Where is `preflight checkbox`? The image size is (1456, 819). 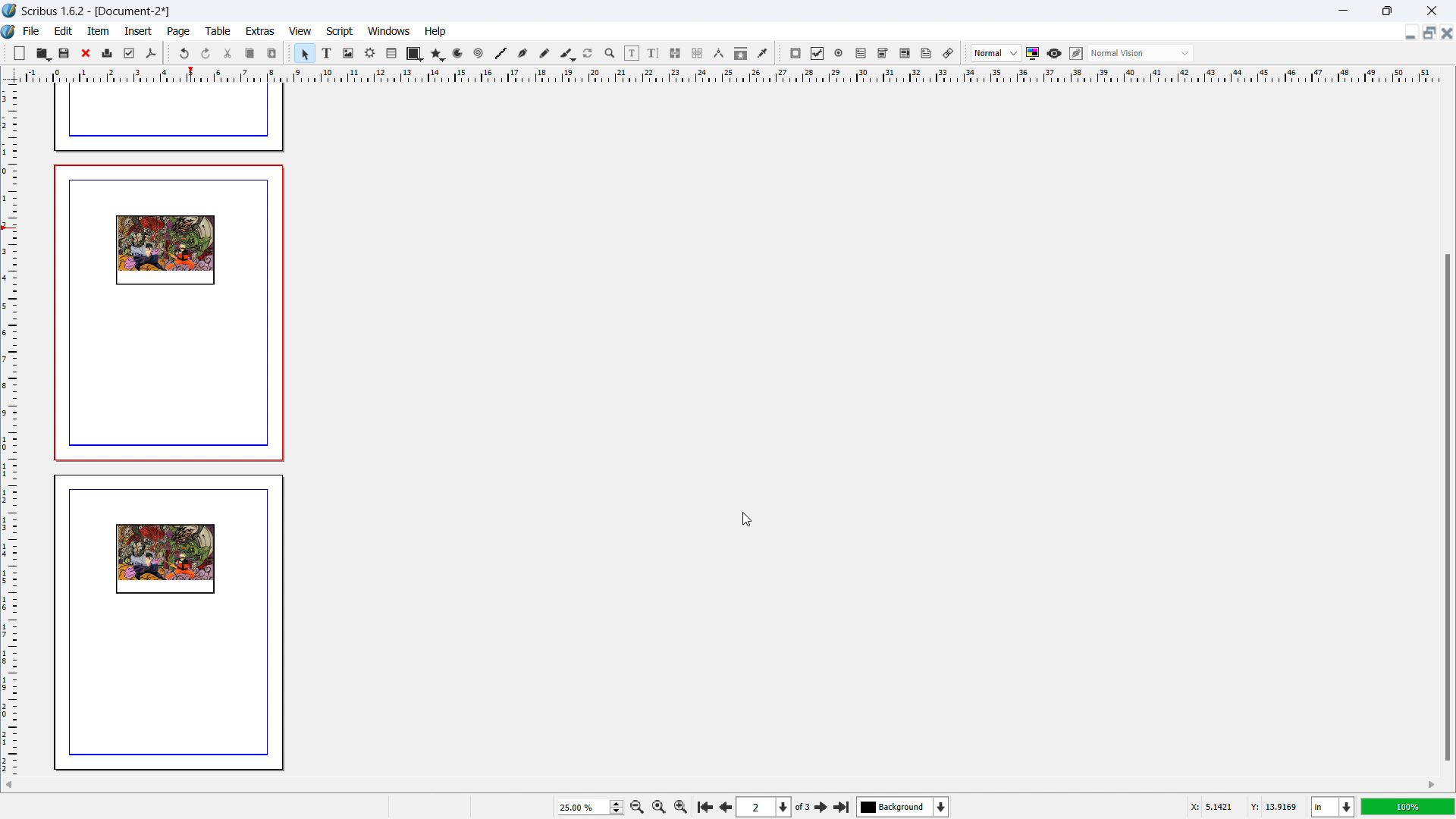
preflight checkbox is located at coordinates (130, 53).